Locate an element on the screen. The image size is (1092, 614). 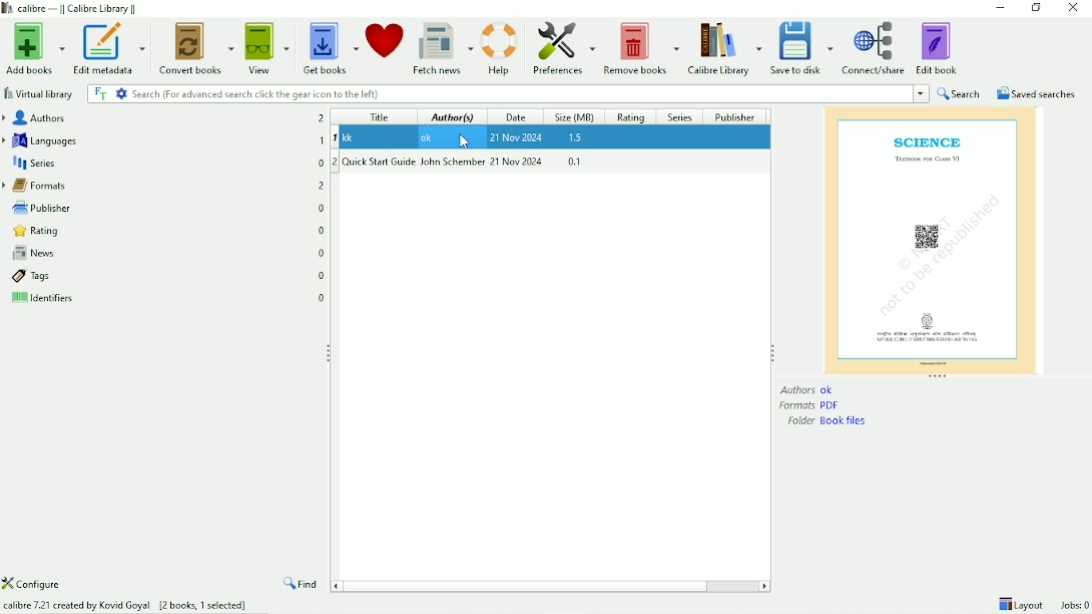
Add books is located at coordinates (33, 50).